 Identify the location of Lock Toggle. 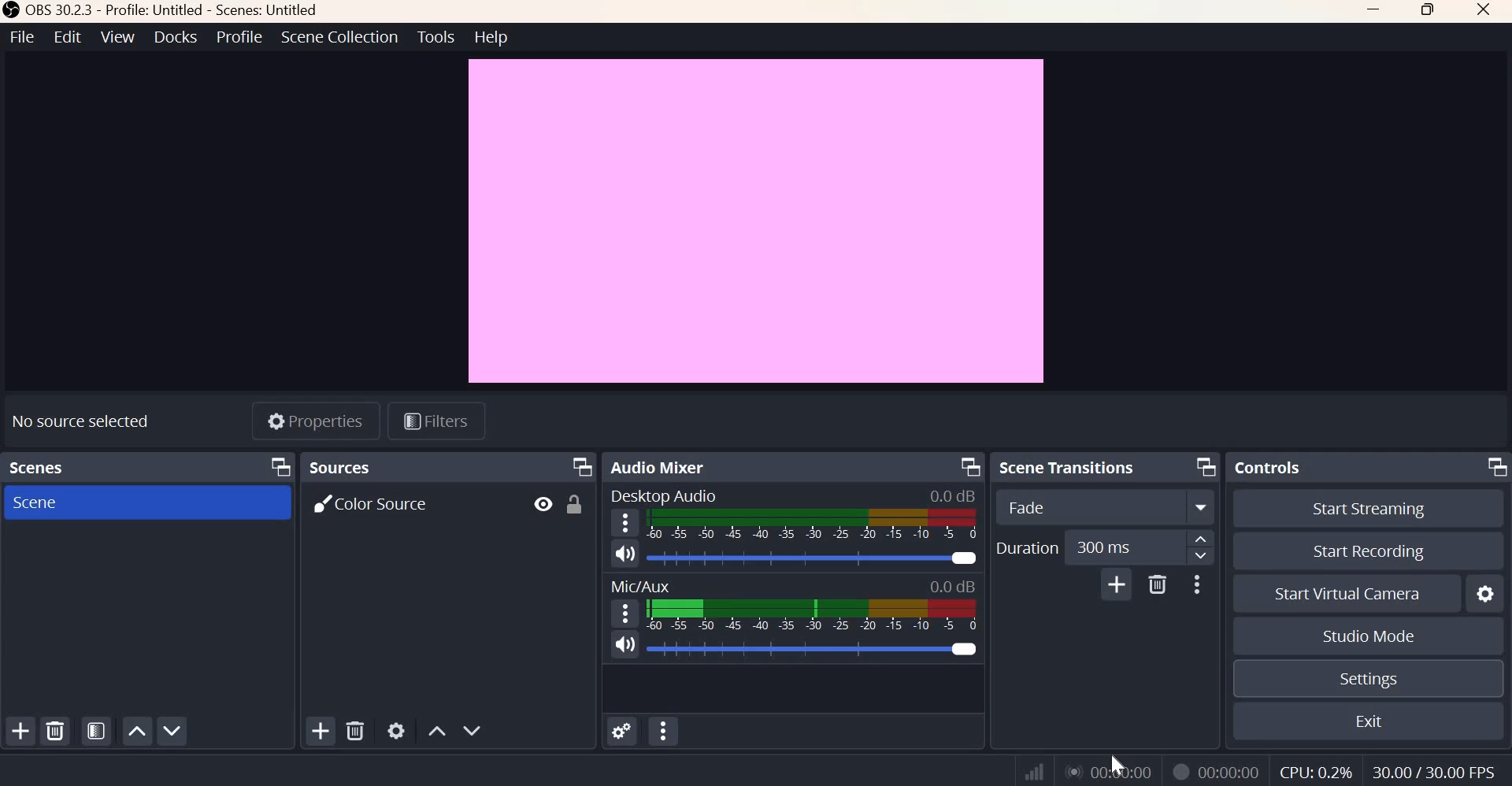
(577, 505).